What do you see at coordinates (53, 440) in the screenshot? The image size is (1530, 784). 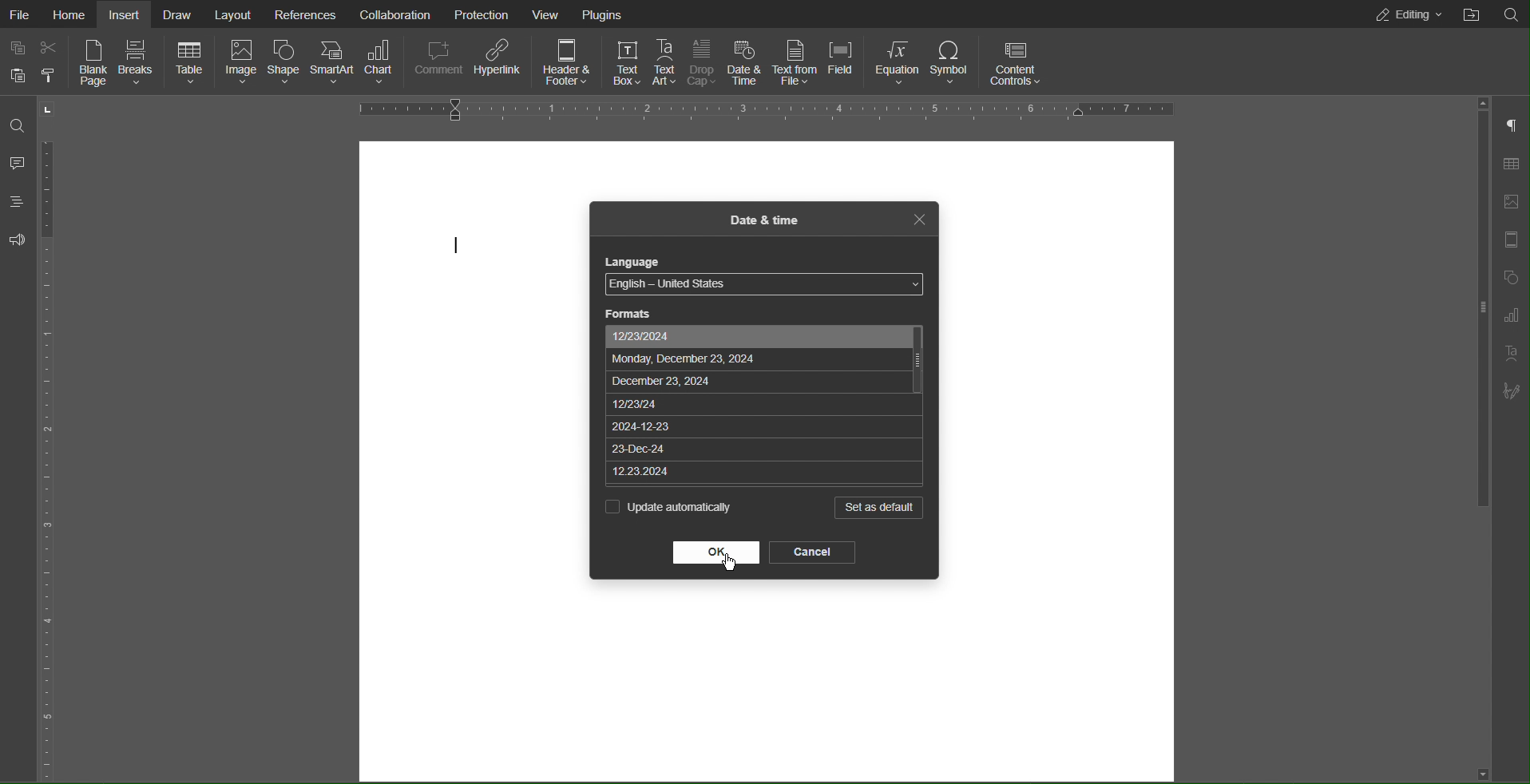 I see `Vertical Ruler` at bounding box center [53, 440].